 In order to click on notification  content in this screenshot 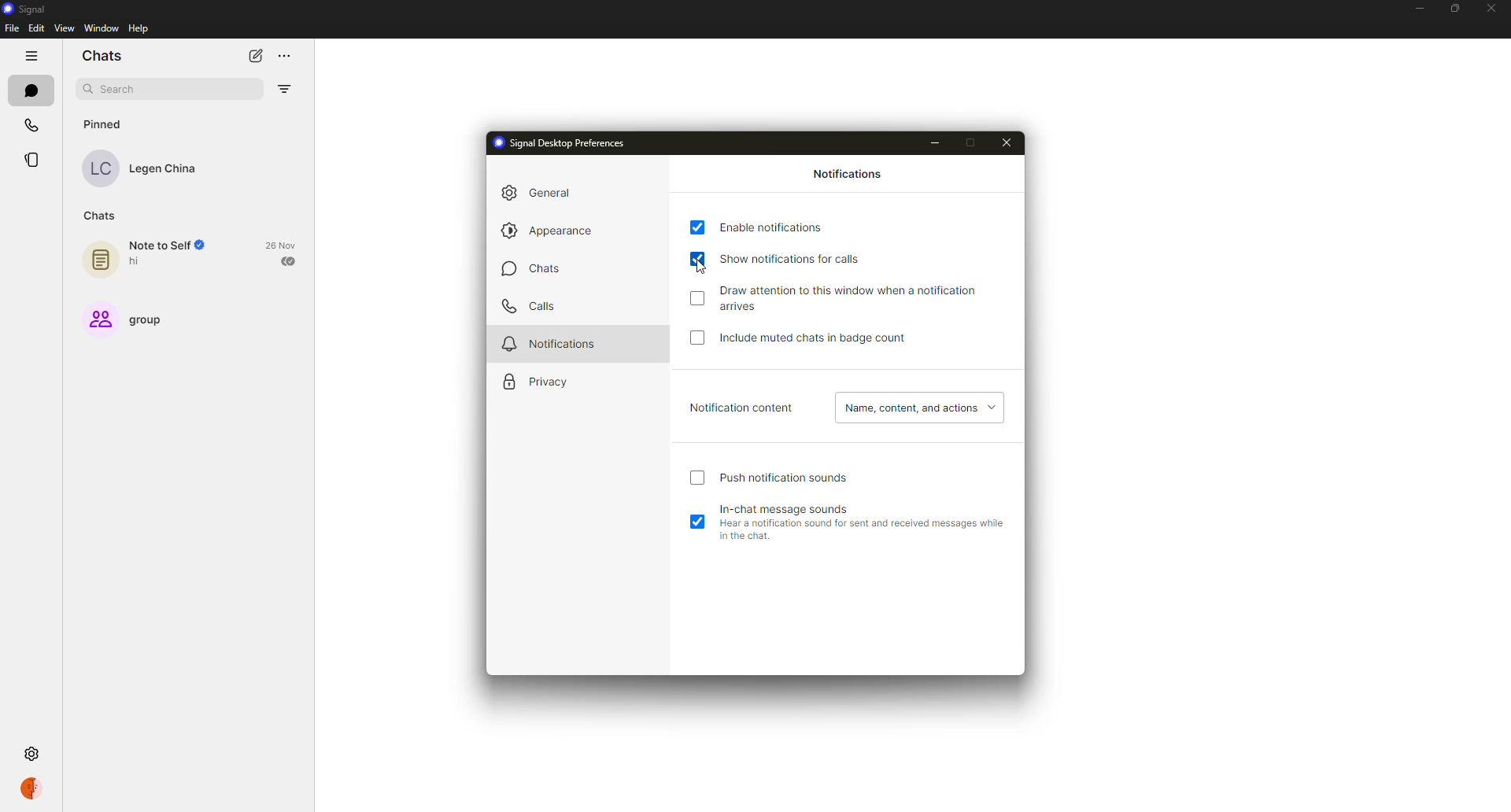, I will do `click(741, 406)`.